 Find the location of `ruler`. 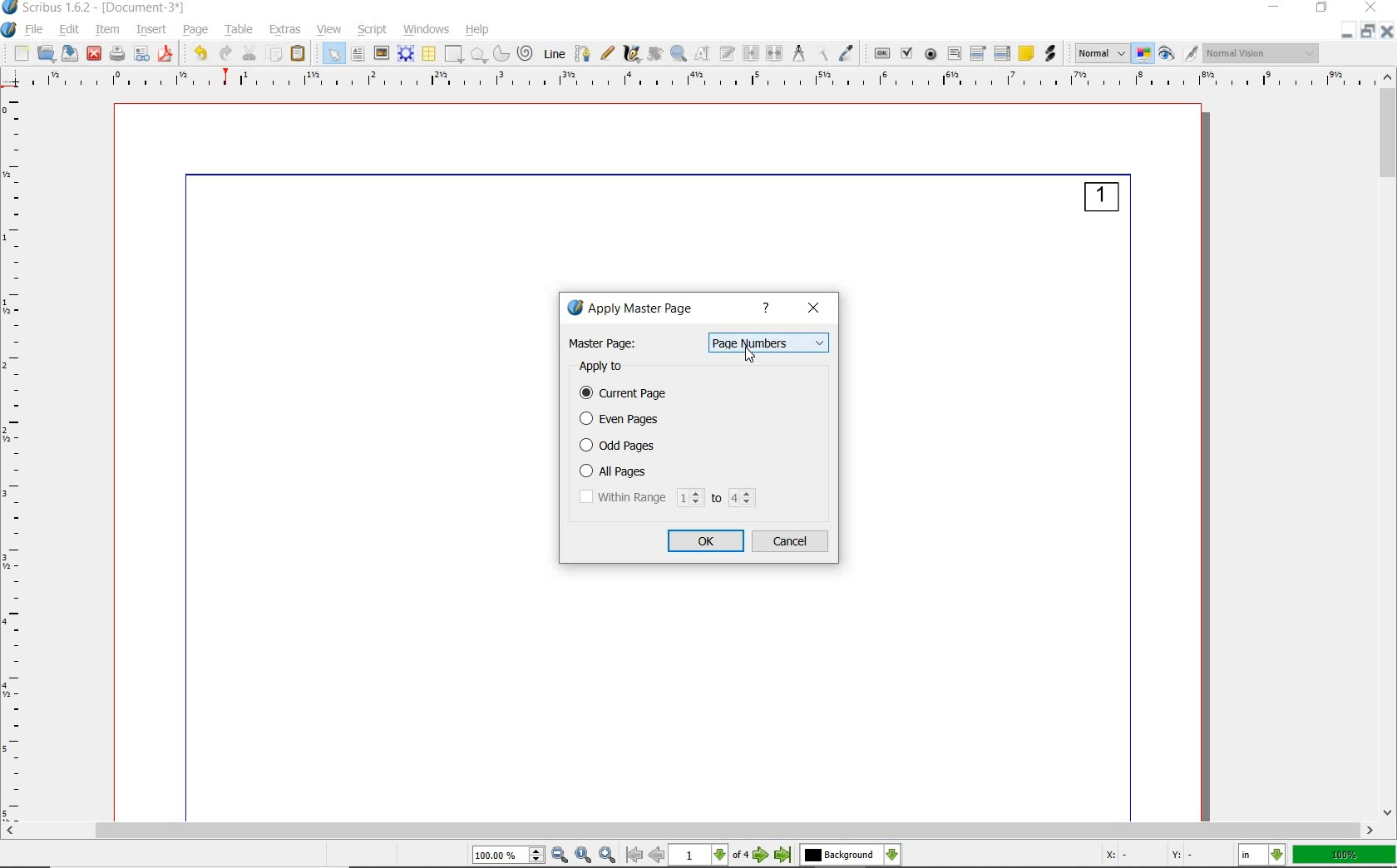

ruler is located at coordinates (20, 457).